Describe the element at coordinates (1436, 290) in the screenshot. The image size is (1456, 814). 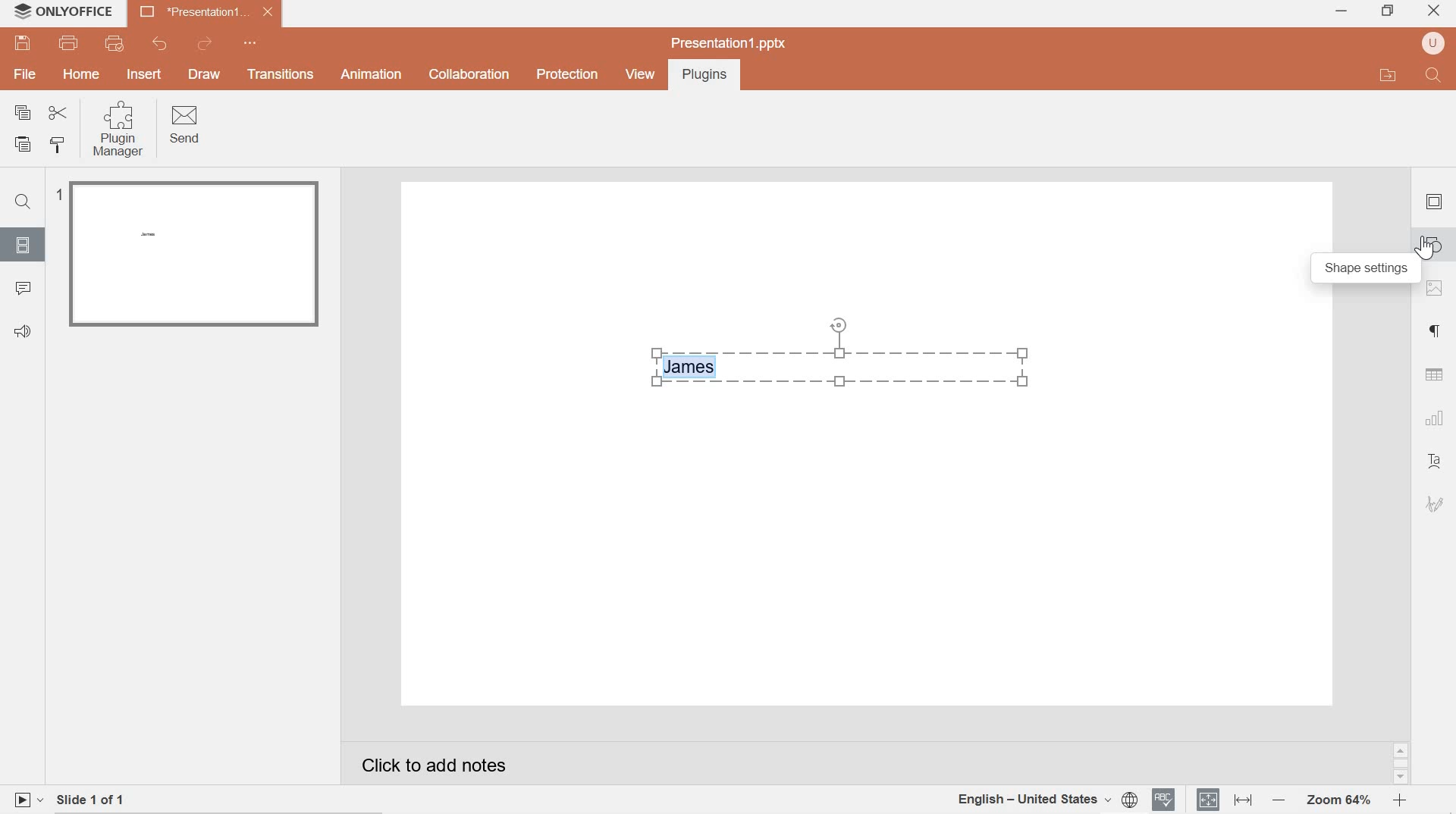
I see `image` at that location.